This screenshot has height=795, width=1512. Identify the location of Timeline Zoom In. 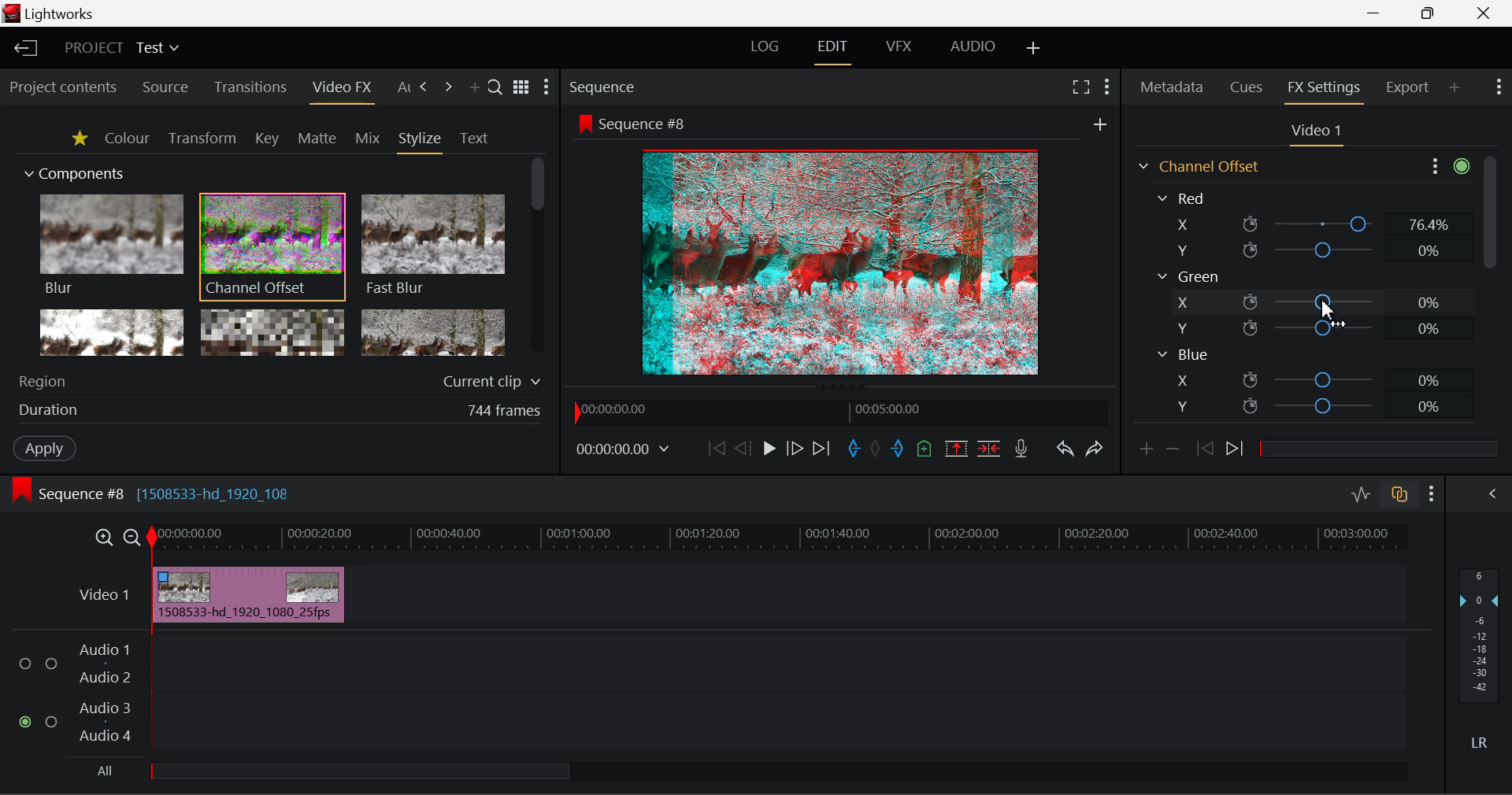
(103, 539).